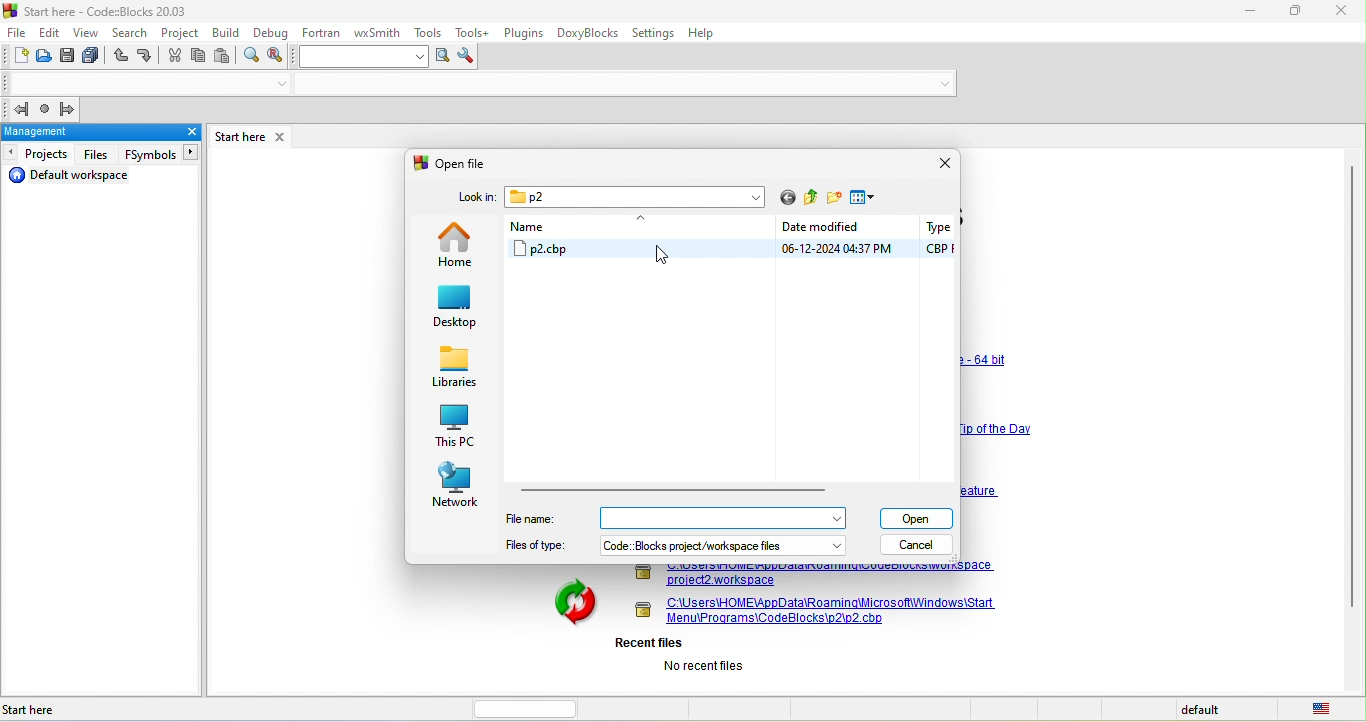 The width and height of the screenshot is (1366, 722). Describe the element at coordinates (654, 32) in the screenshot. I see `settings` at that location.